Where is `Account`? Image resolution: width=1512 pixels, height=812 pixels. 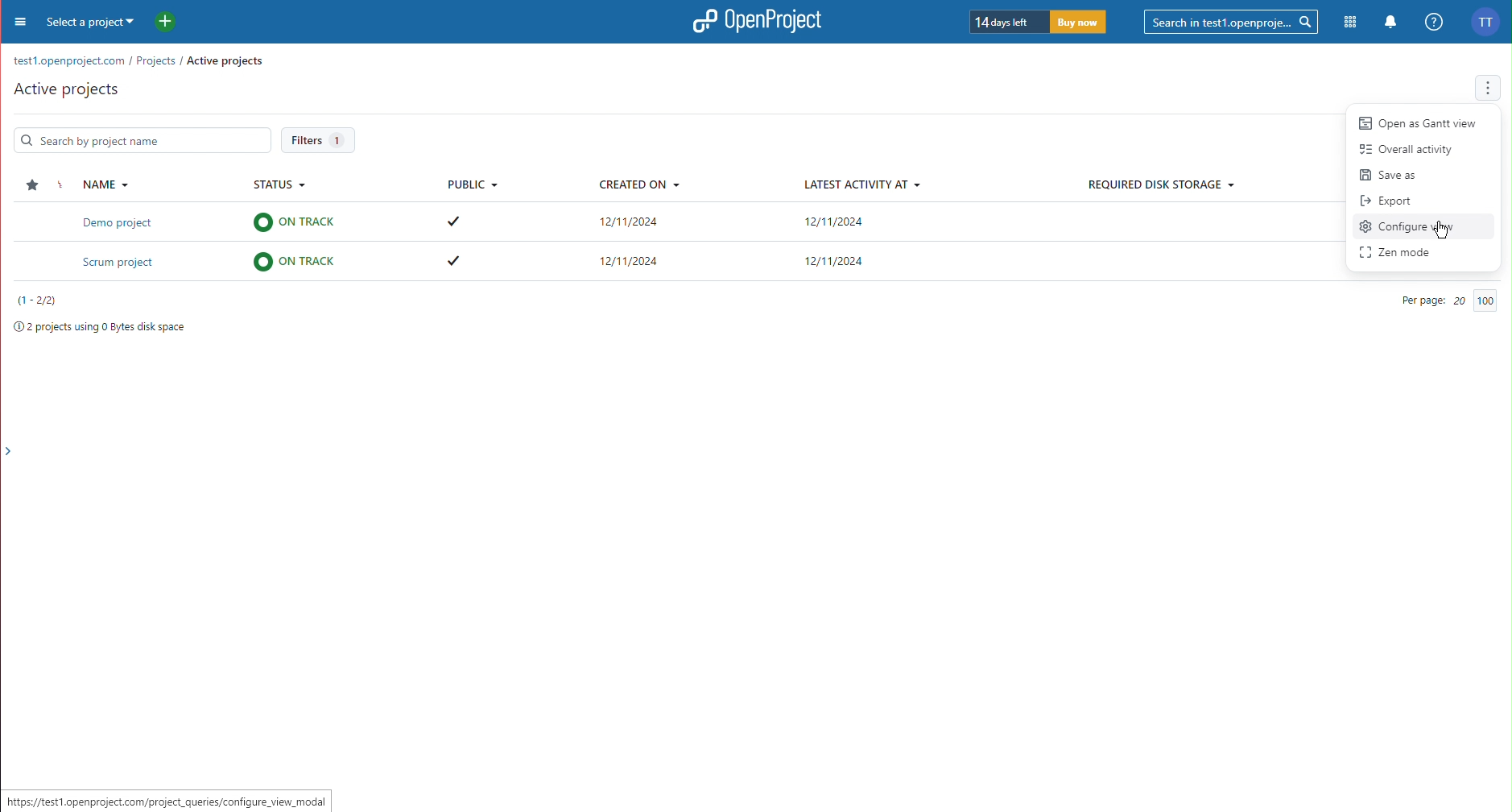 Account is located at coordinates (1489, 23).